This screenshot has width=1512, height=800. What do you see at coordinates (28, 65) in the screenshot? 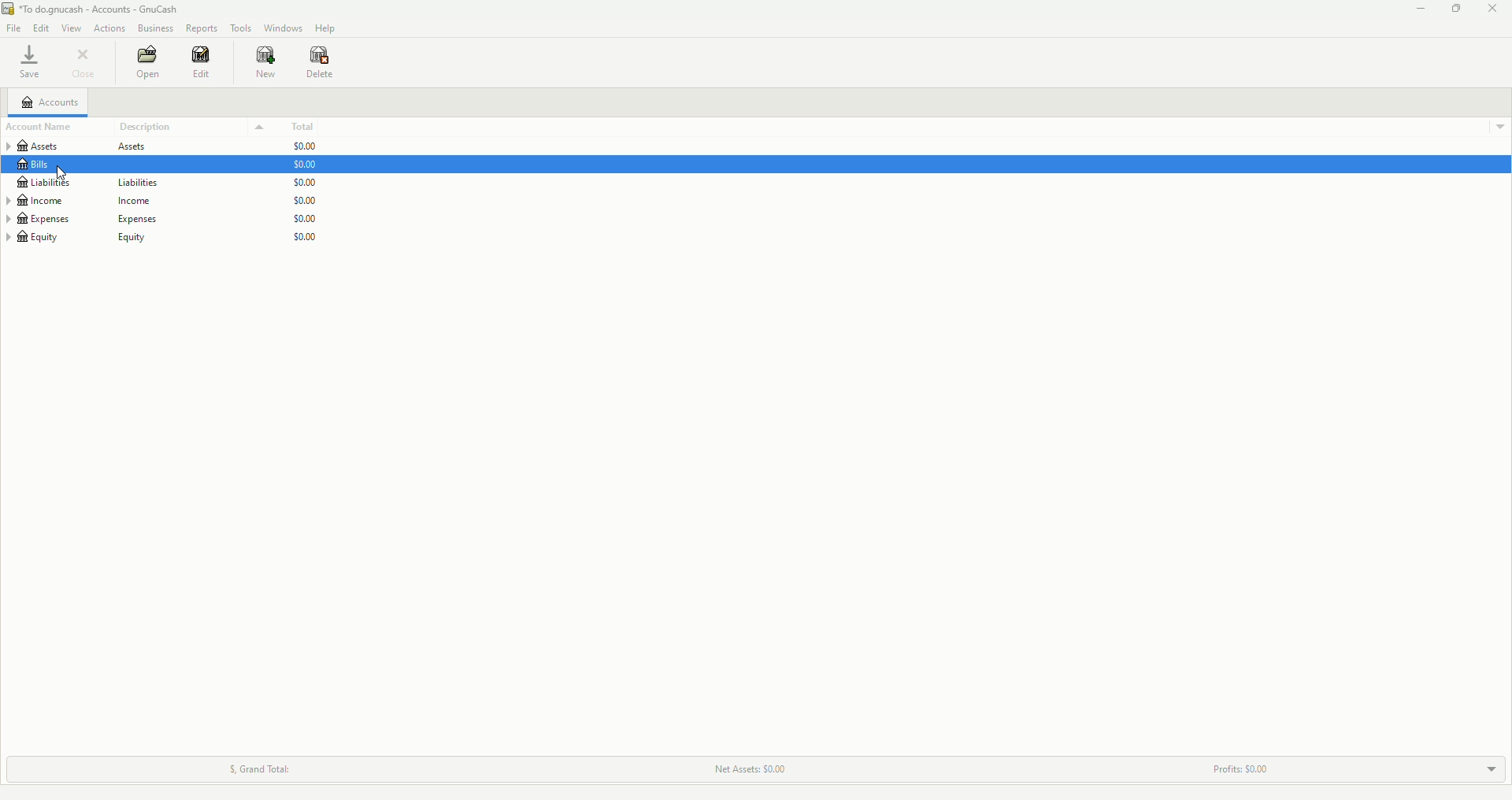
I see `Save` at bounding box center [28, 65].